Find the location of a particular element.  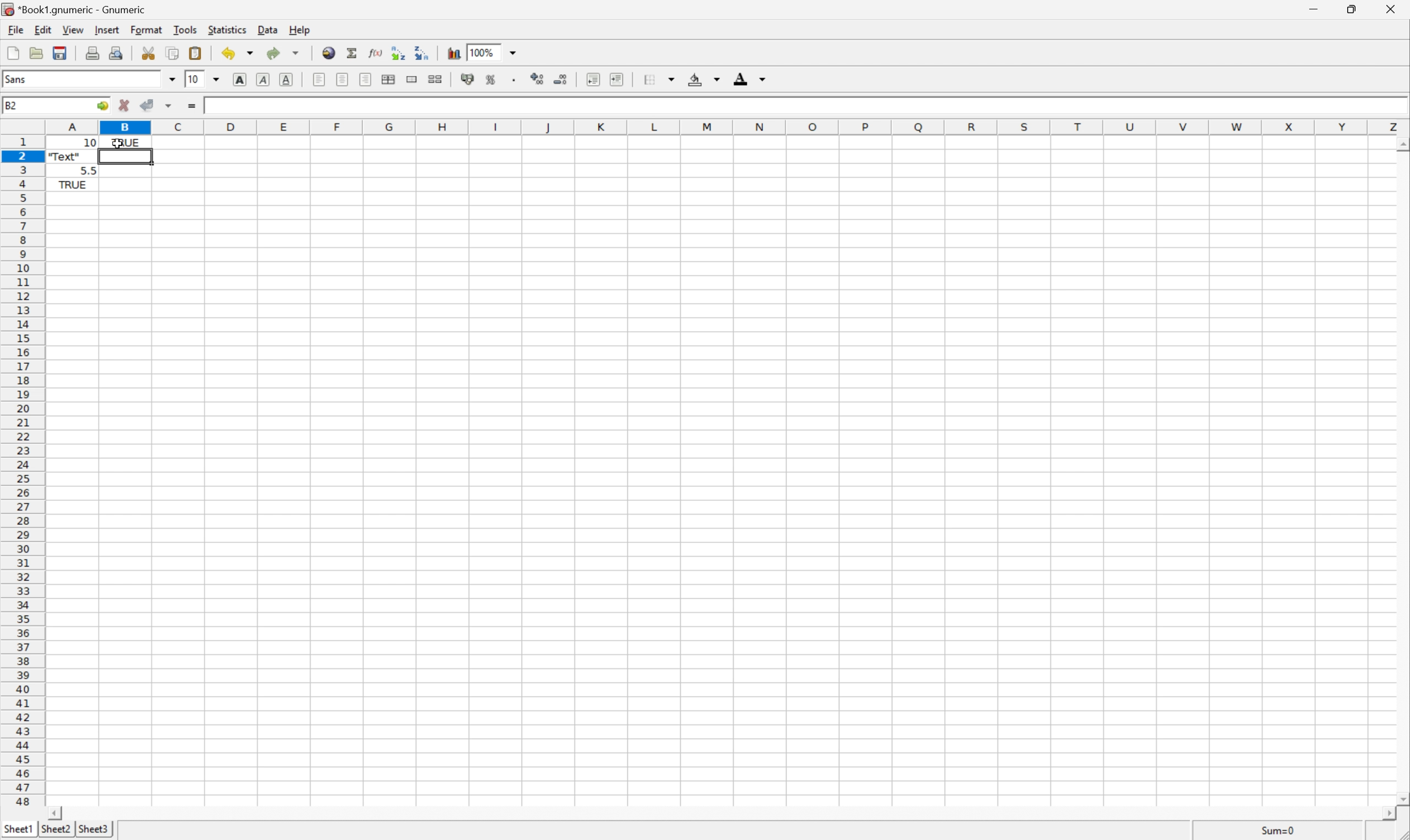

Drop Down is located at coordinates (217, 79).